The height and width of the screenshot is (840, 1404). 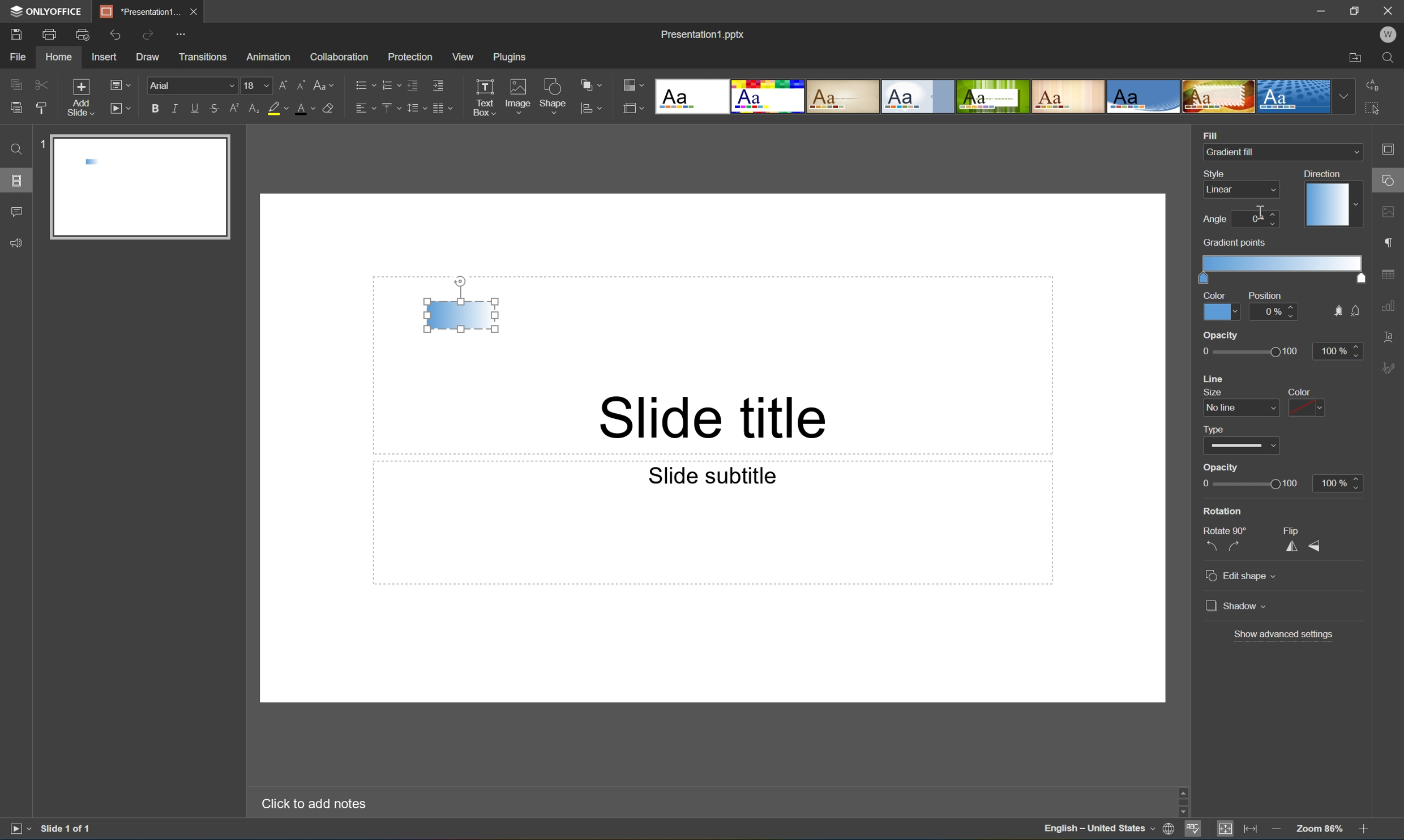 What do you see at coordinates (1330, 206) in the screenshot?
I see `Gradient direction` at bounding box center [1330, 206].